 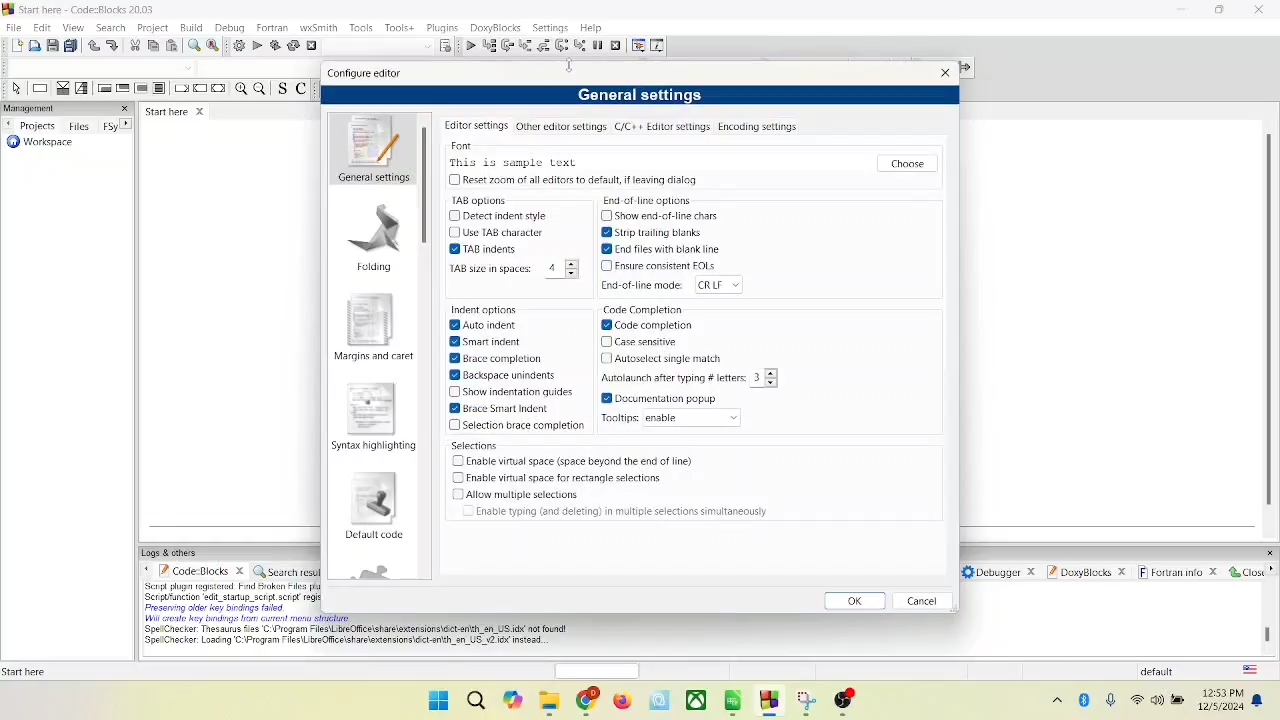 I want to click on cut, so click(x=136, y=46).